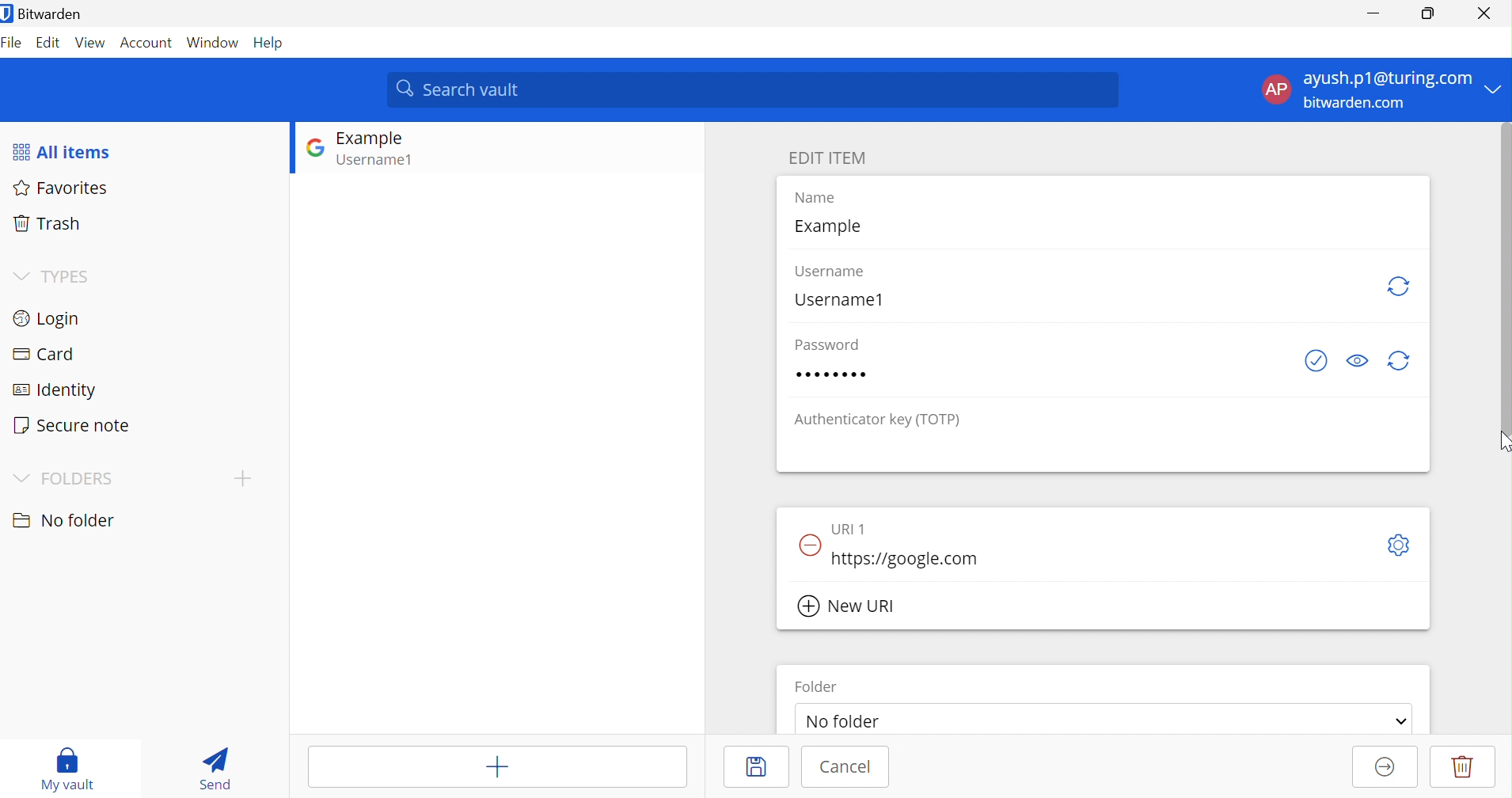 This screenshot has width=1512, height=798. Describe the element at coordinates (874, 420) in the screenshot. I see `Authenticator key (TOTP)` at that location.